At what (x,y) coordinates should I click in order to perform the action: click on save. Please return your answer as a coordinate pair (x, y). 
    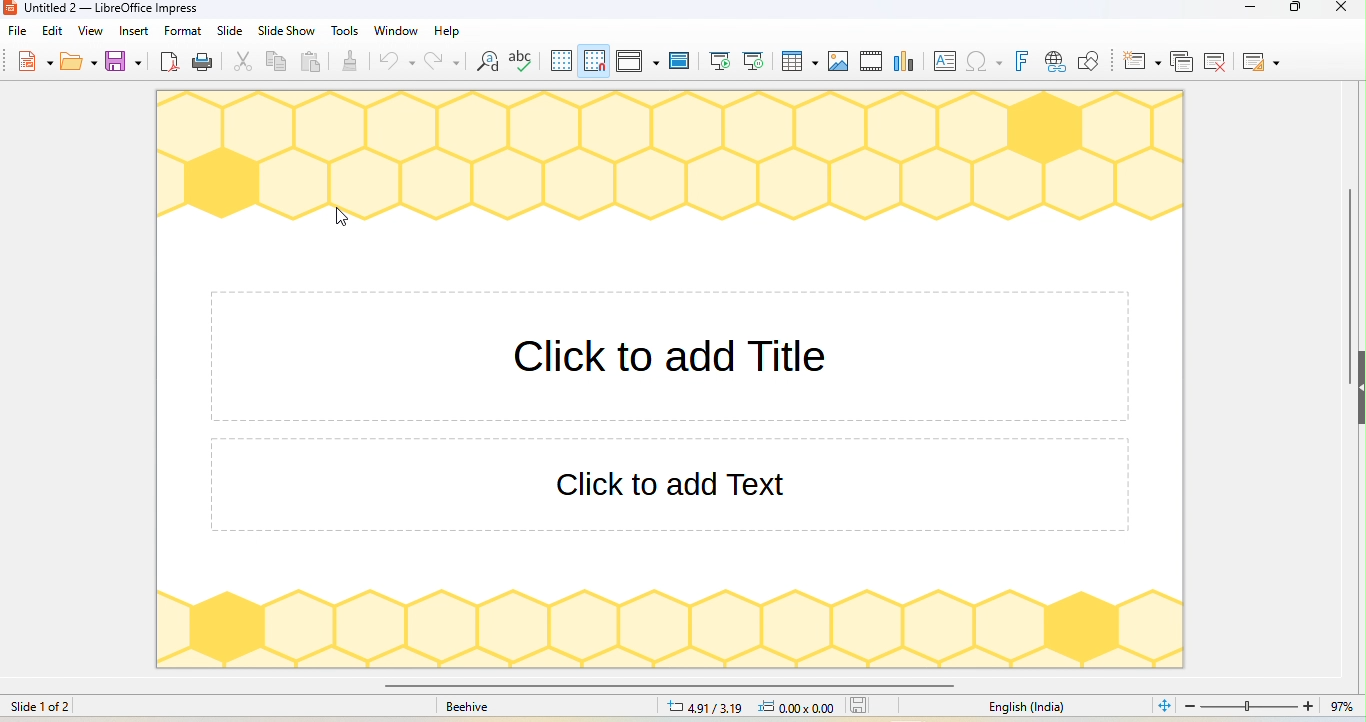
    Looking at the image, I should click on (126, 60).